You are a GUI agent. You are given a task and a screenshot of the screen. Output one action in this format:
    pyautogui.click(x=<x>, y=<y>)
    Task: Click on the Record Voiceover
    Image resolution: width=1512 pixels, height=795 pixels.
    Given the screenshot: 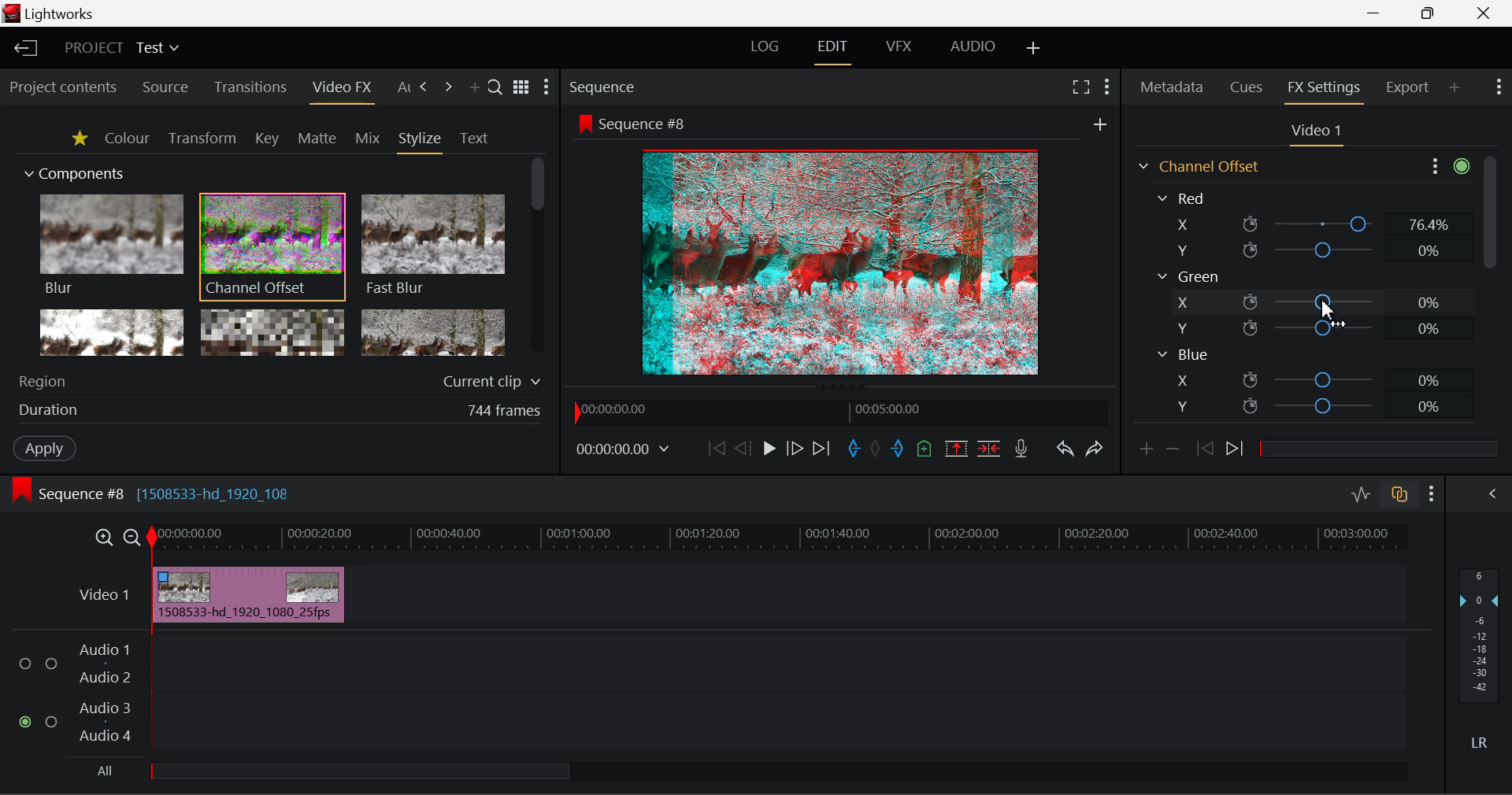 What is the action you would take?
    pyautogui.click(x=1021, y=450)
    